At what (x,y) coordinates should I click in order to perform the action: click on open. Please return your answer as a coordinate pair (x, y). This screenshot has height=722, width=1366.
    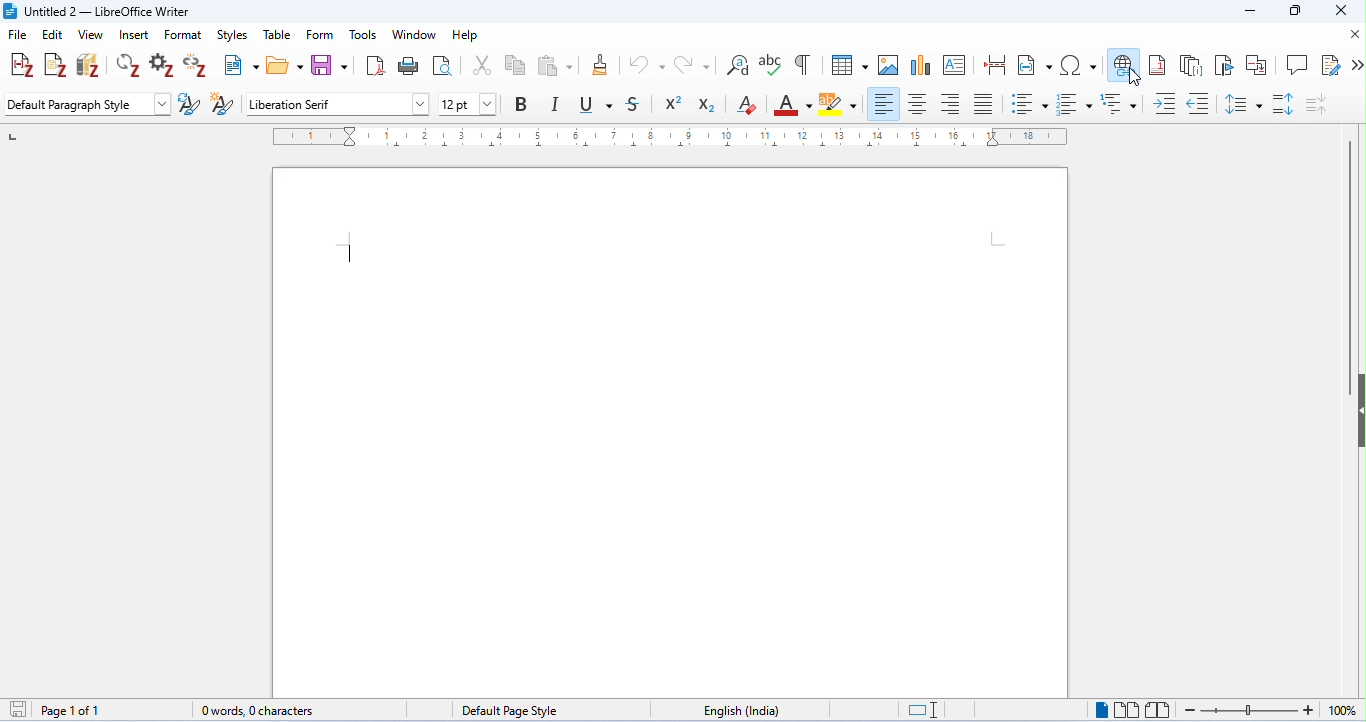
    Looking at the image, I should click on (284, 64).